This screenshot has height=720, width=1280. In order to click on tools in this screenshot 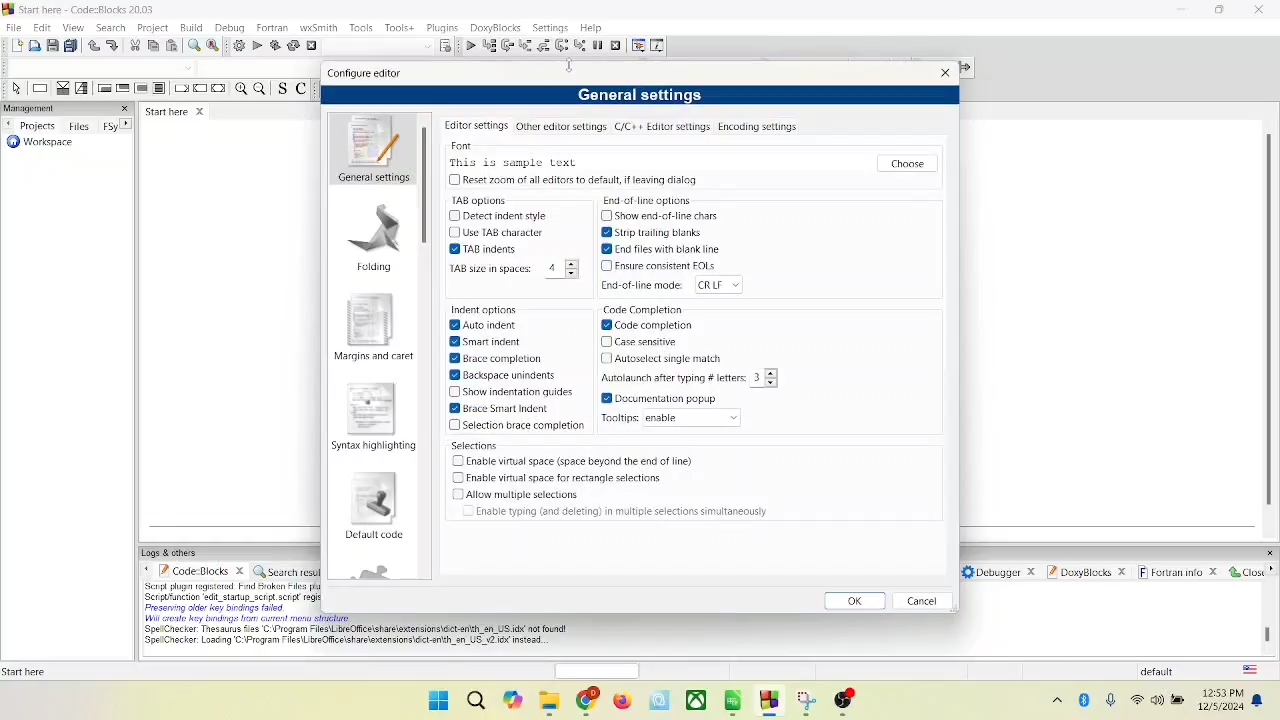, I will do `click(363, 27)`.